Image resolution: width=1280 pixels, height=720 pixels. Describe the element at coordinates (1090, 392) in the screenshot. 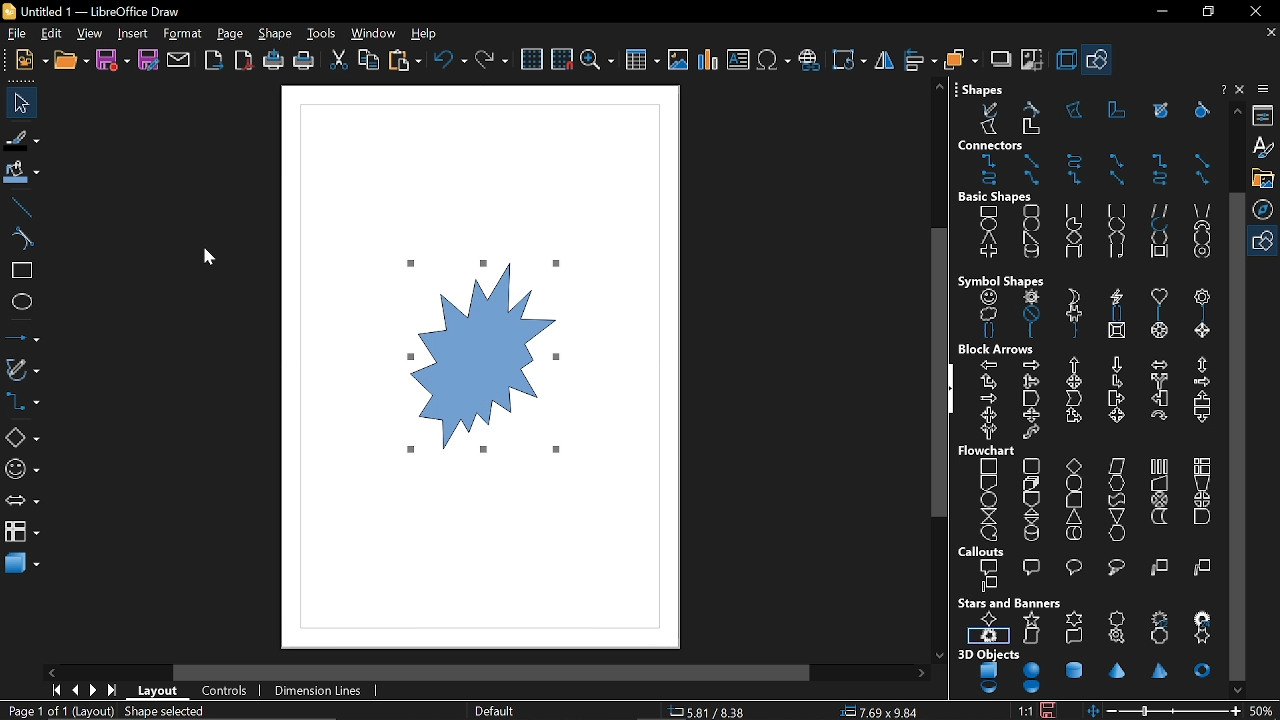

I see `block arrows` at that location.